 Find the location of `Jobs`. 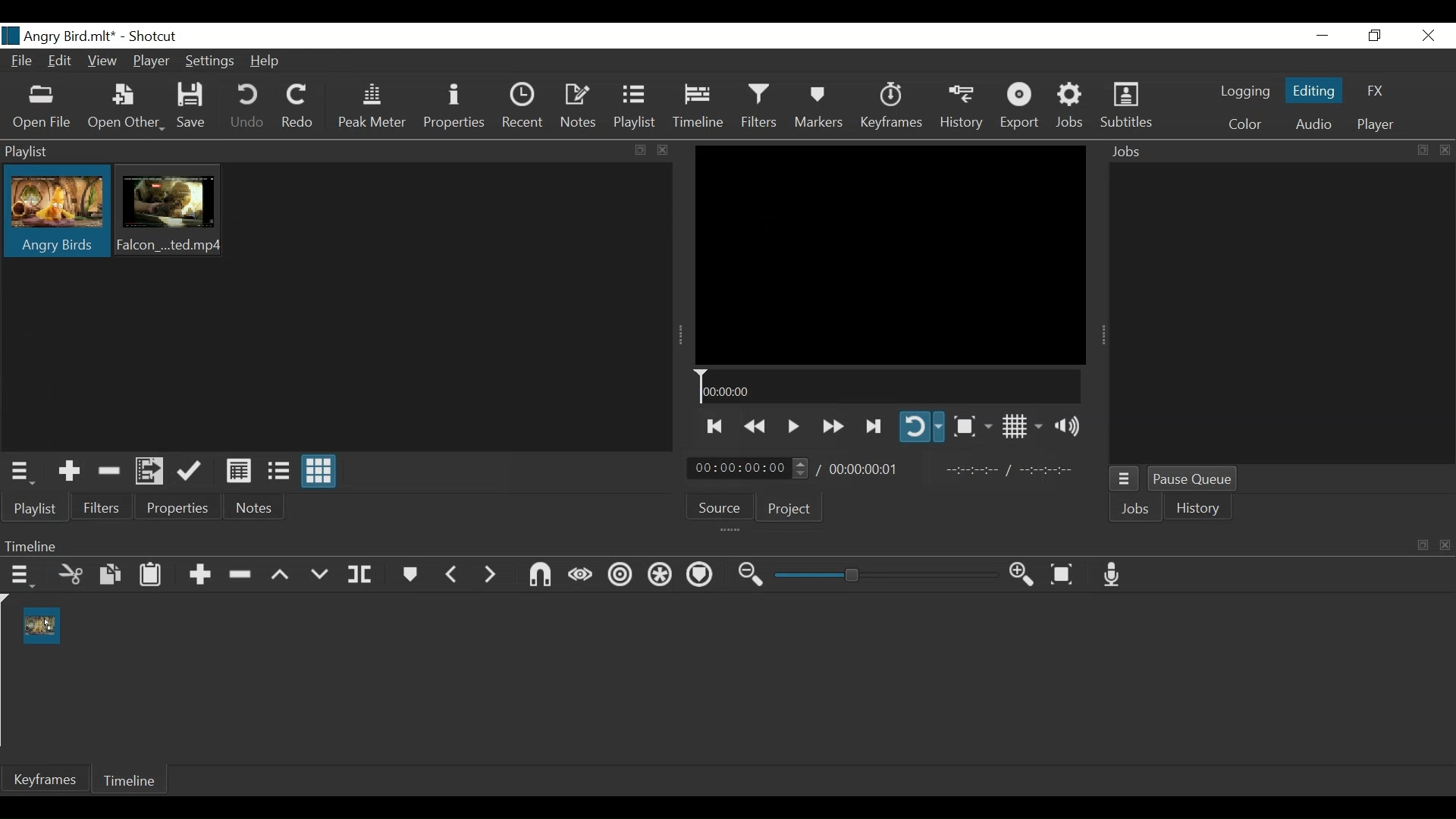

Jobs is located at coordinates (1135, 508).